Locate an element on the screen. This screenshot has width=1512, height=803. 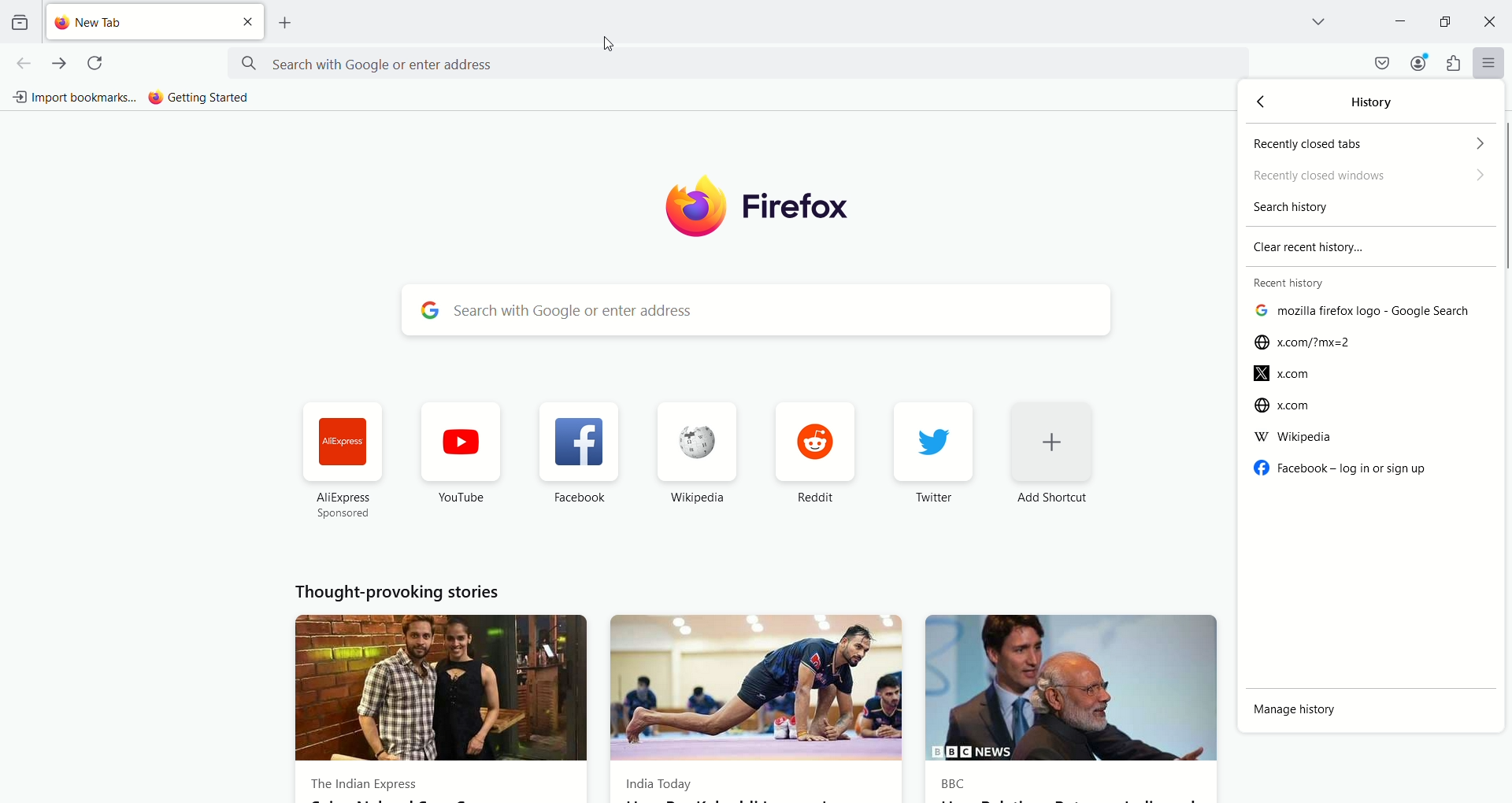
Youtube is located at coordinates (471, 453).